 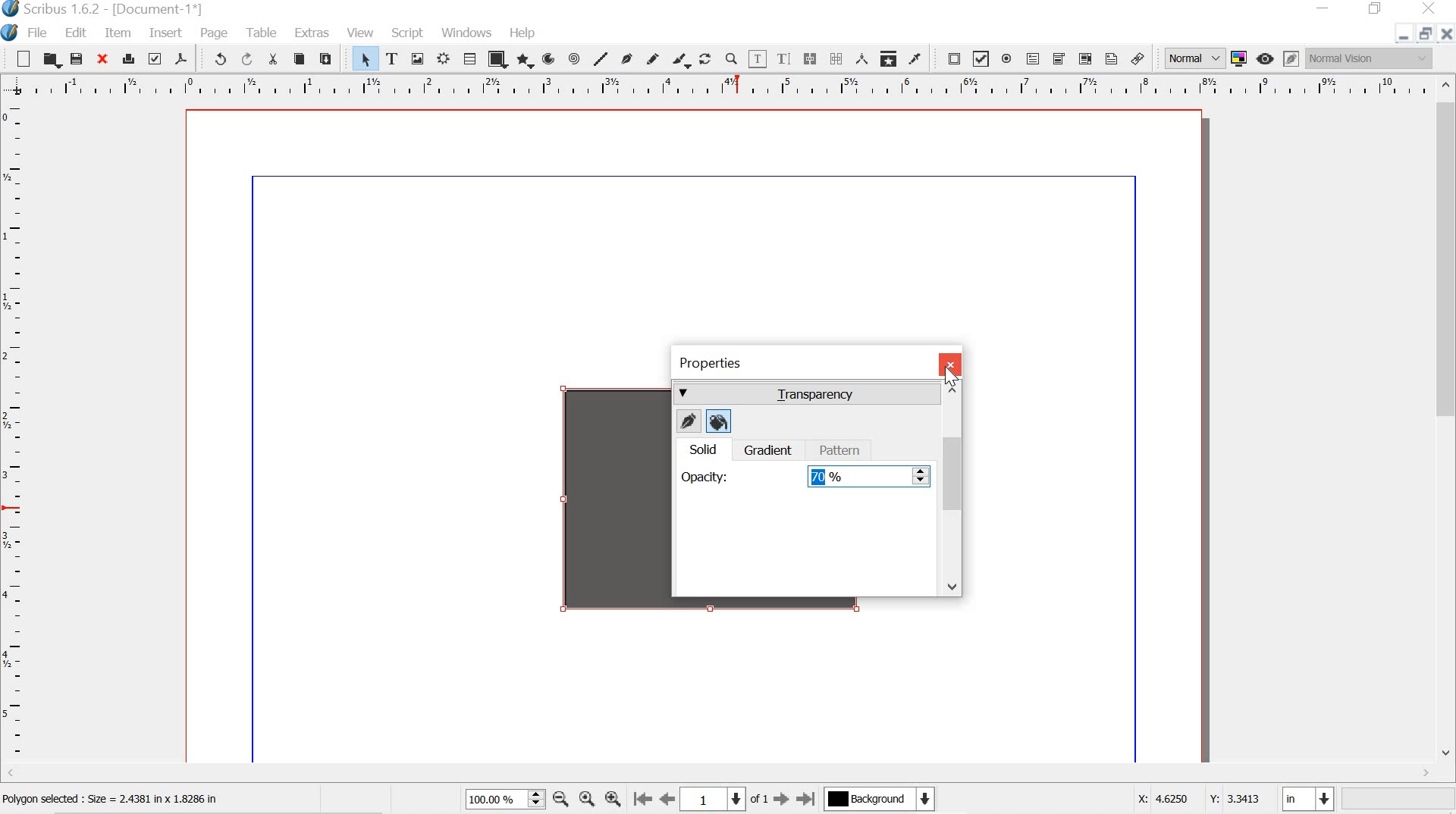 I want to click on close doc, so click(x=1447, y=33).